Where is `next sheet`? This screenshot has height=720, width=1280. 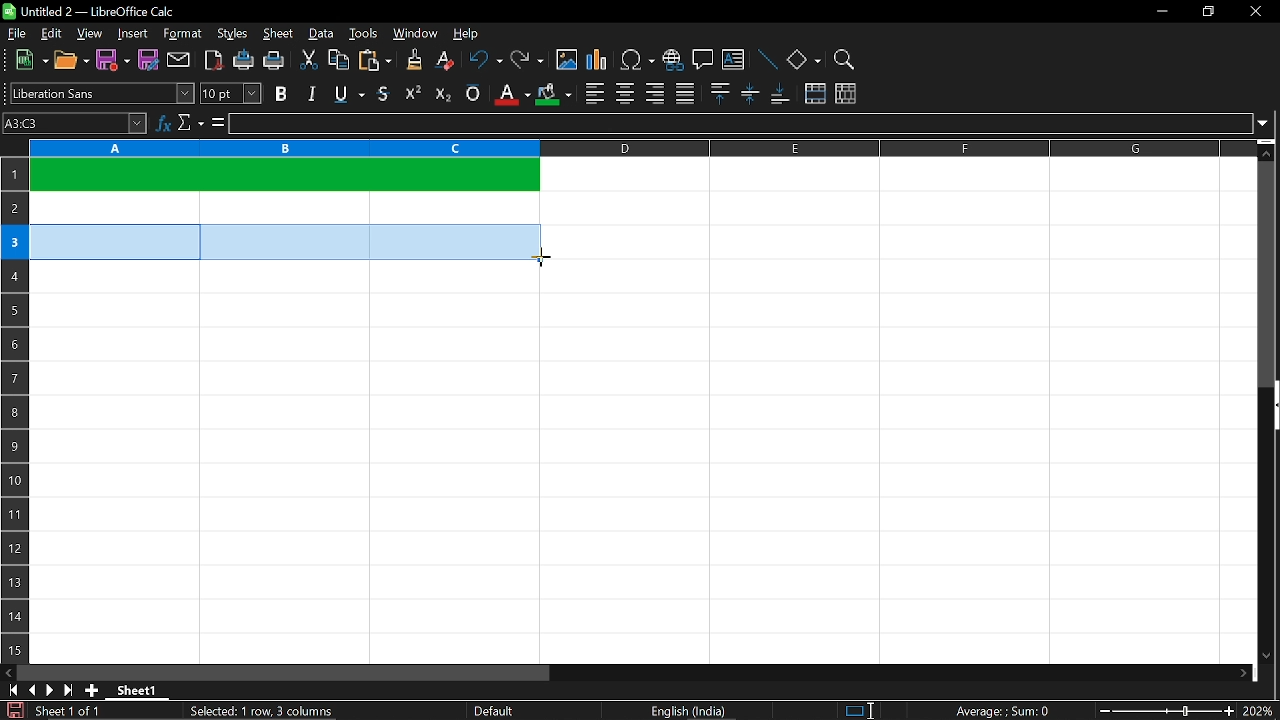
next sheet is located at coordinates (48, 690).